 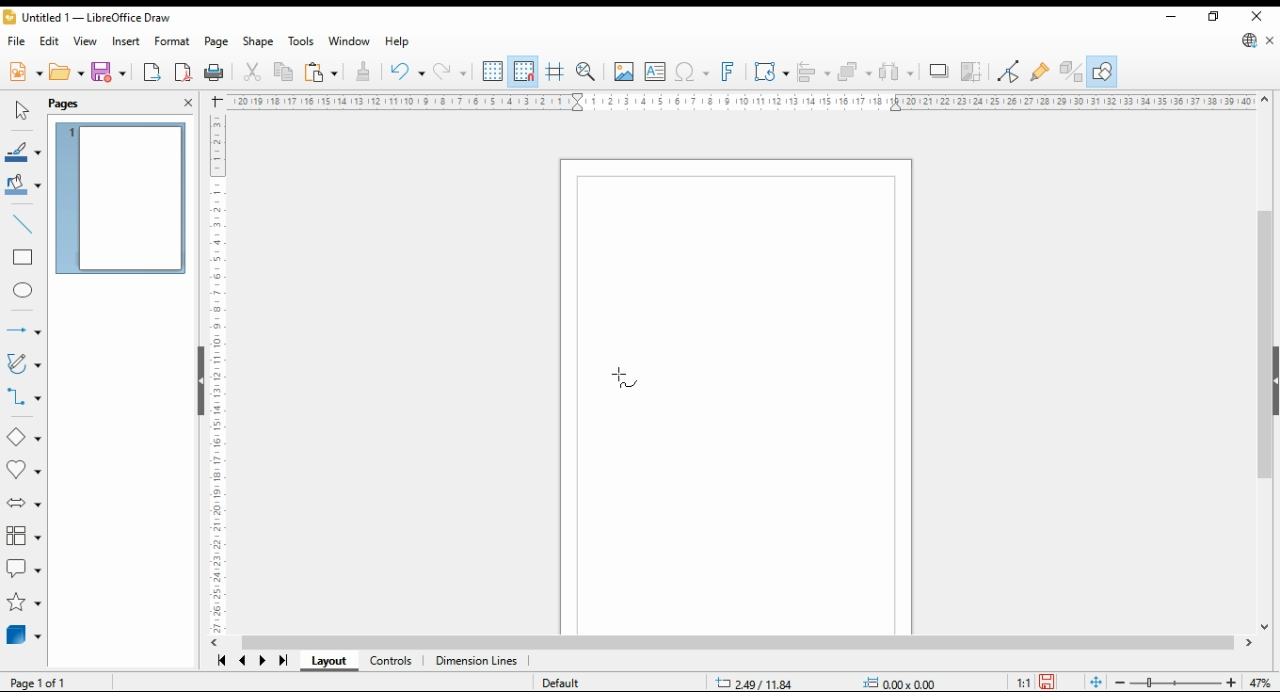 What do you see at coordinates (624, 71) in the screenshot?
I see `insert image` at bounding box center [624, 71].